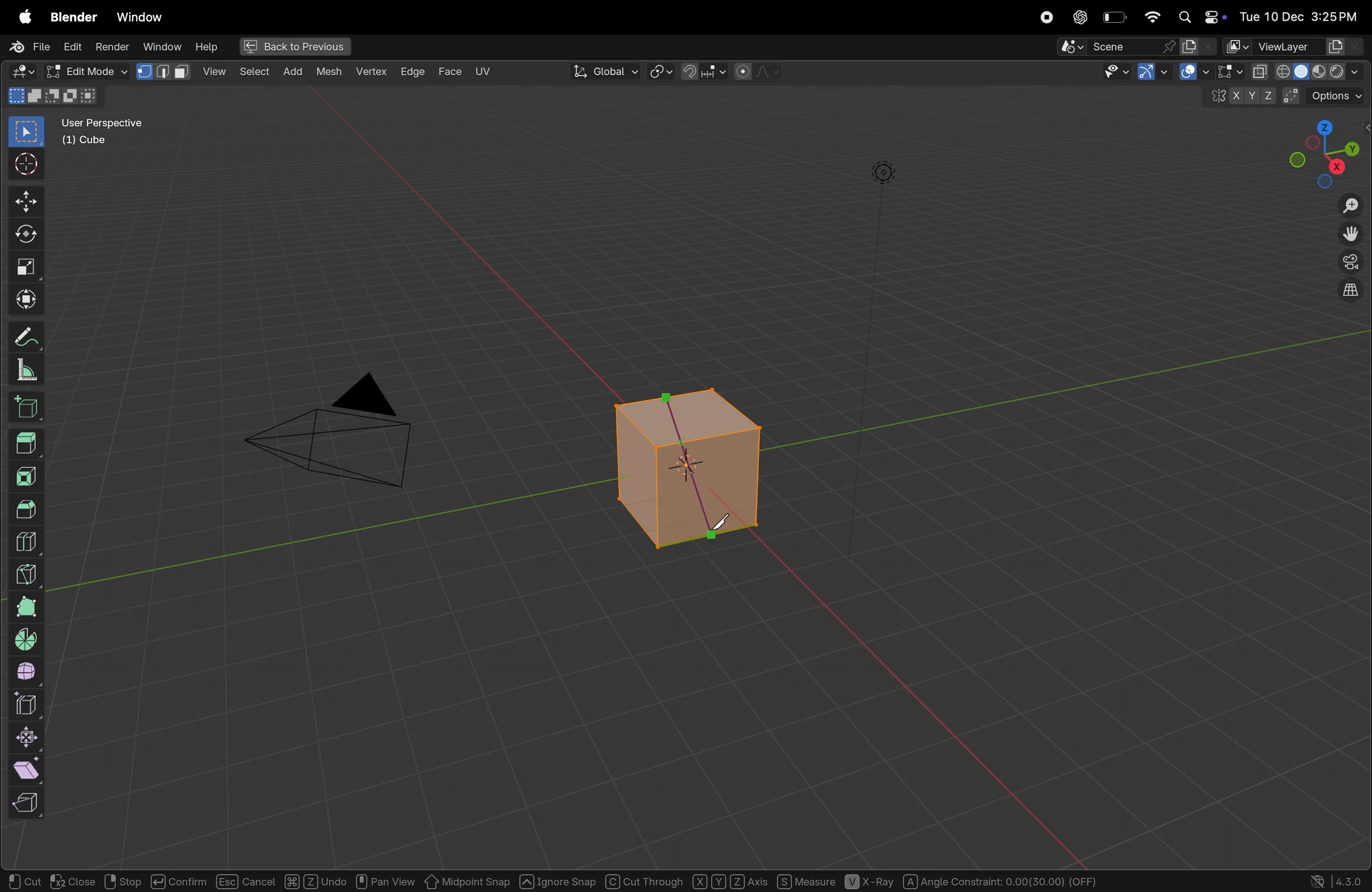  What do you see at coordinates (661, 73) in the screenshot?
I see `transform pviot` at bounding box center [661, 73].